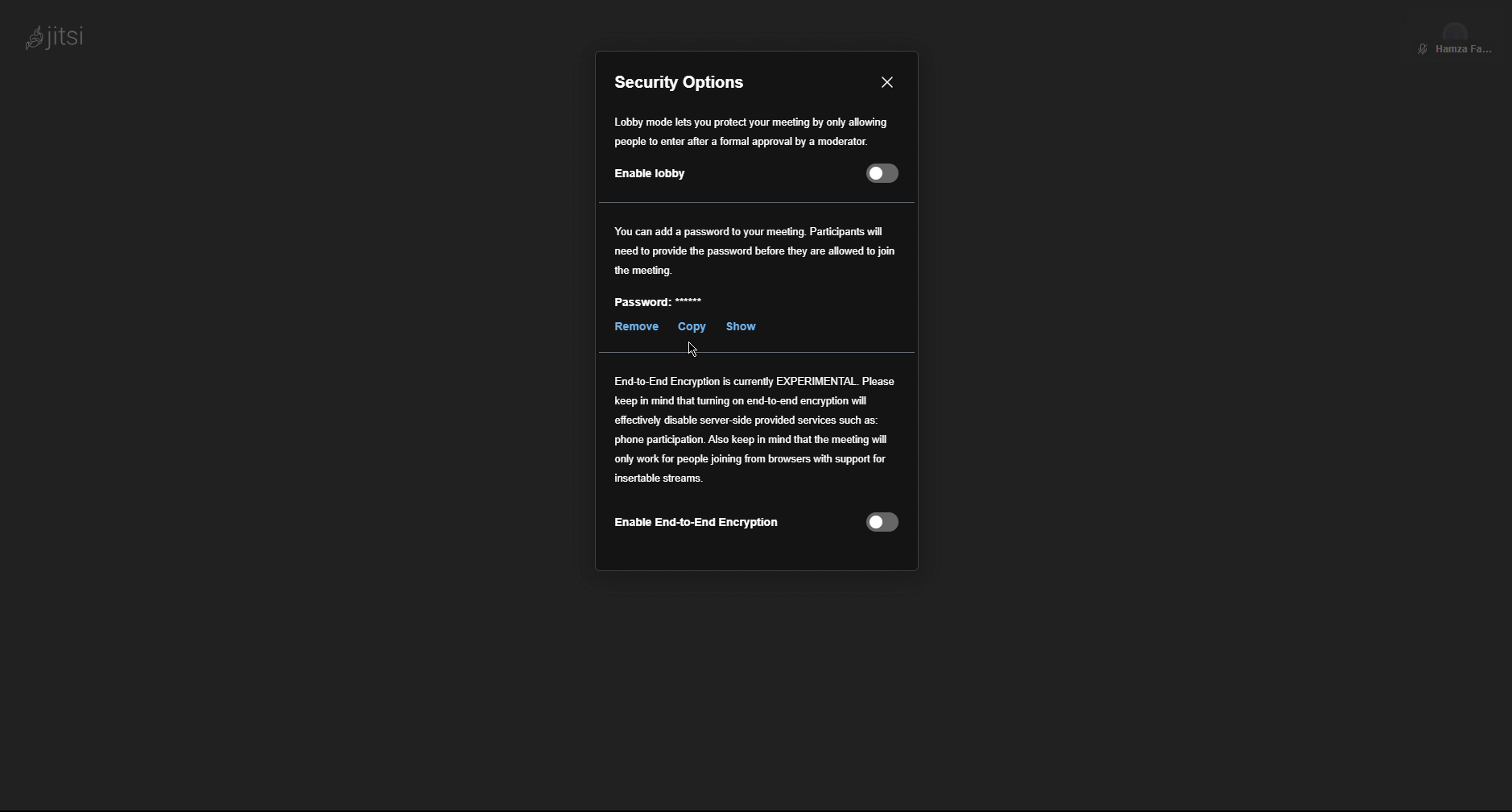 This screenshot has width=1512, height=812. I want to click on Security Options, so click(684, 82).